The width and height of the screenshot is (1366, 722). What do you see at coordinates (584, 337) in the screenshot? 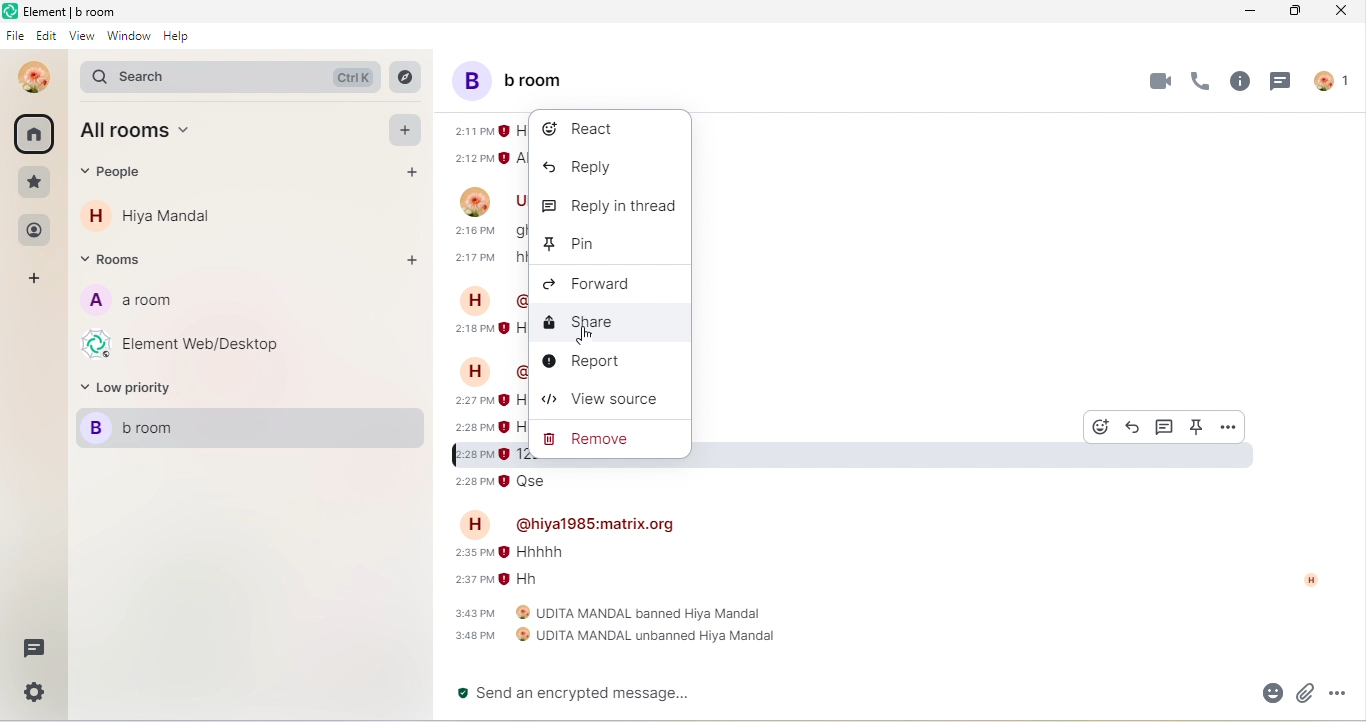
I see `cursor movement` at bounding box center [584, 337].